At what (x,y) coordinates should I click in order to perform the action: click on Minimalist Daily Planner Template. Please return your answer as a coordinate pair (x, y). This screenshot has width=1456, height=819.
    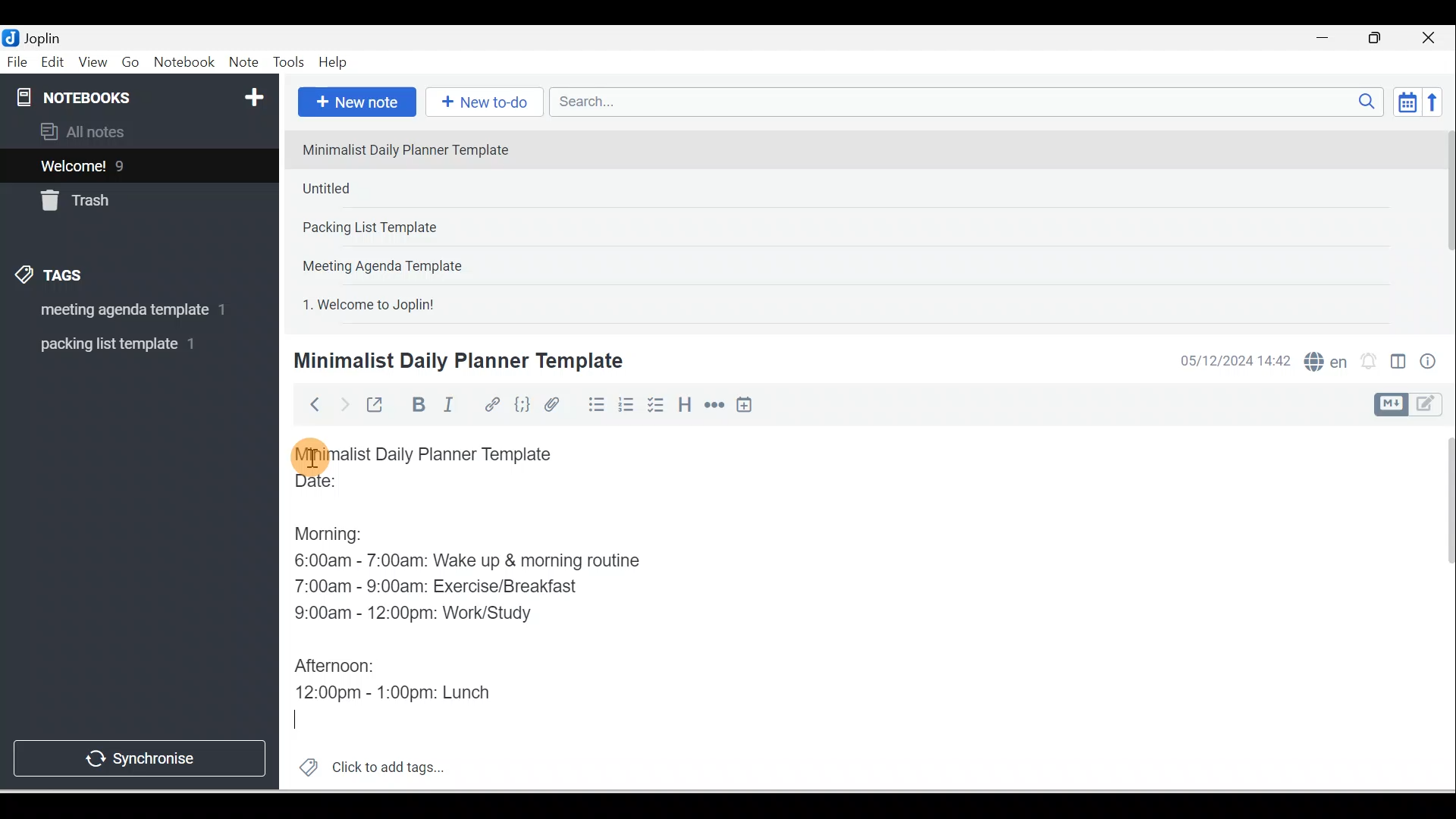
    Looking at the image, I should click on (456, 361).